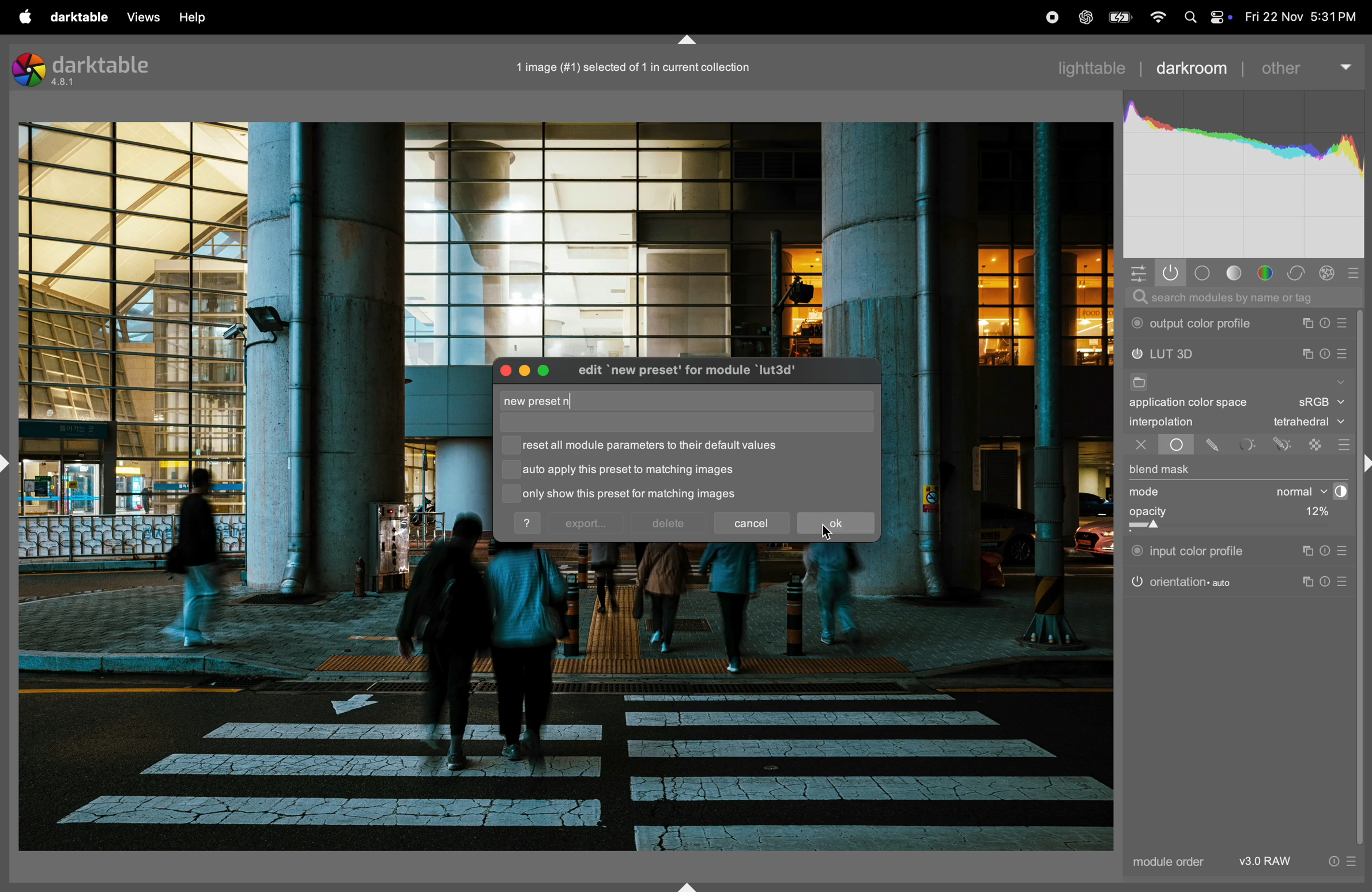  What do you see at coordinates (1160, 471) in the screenshot?
I see `blend mask` at bounding box center [1160, 471].